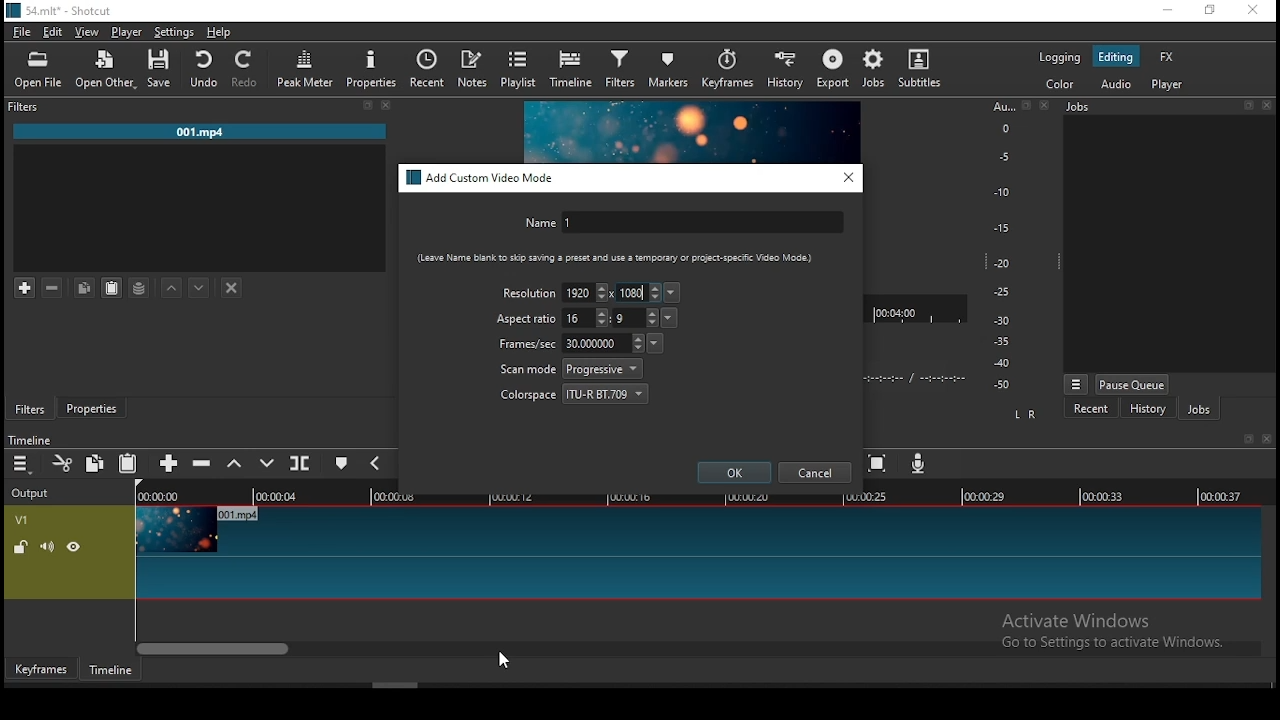 The height and width of the screenshot is (720, 1280). Describe the element at coordinates (1091, 409) in the screenshot. I see `recent` at that location.